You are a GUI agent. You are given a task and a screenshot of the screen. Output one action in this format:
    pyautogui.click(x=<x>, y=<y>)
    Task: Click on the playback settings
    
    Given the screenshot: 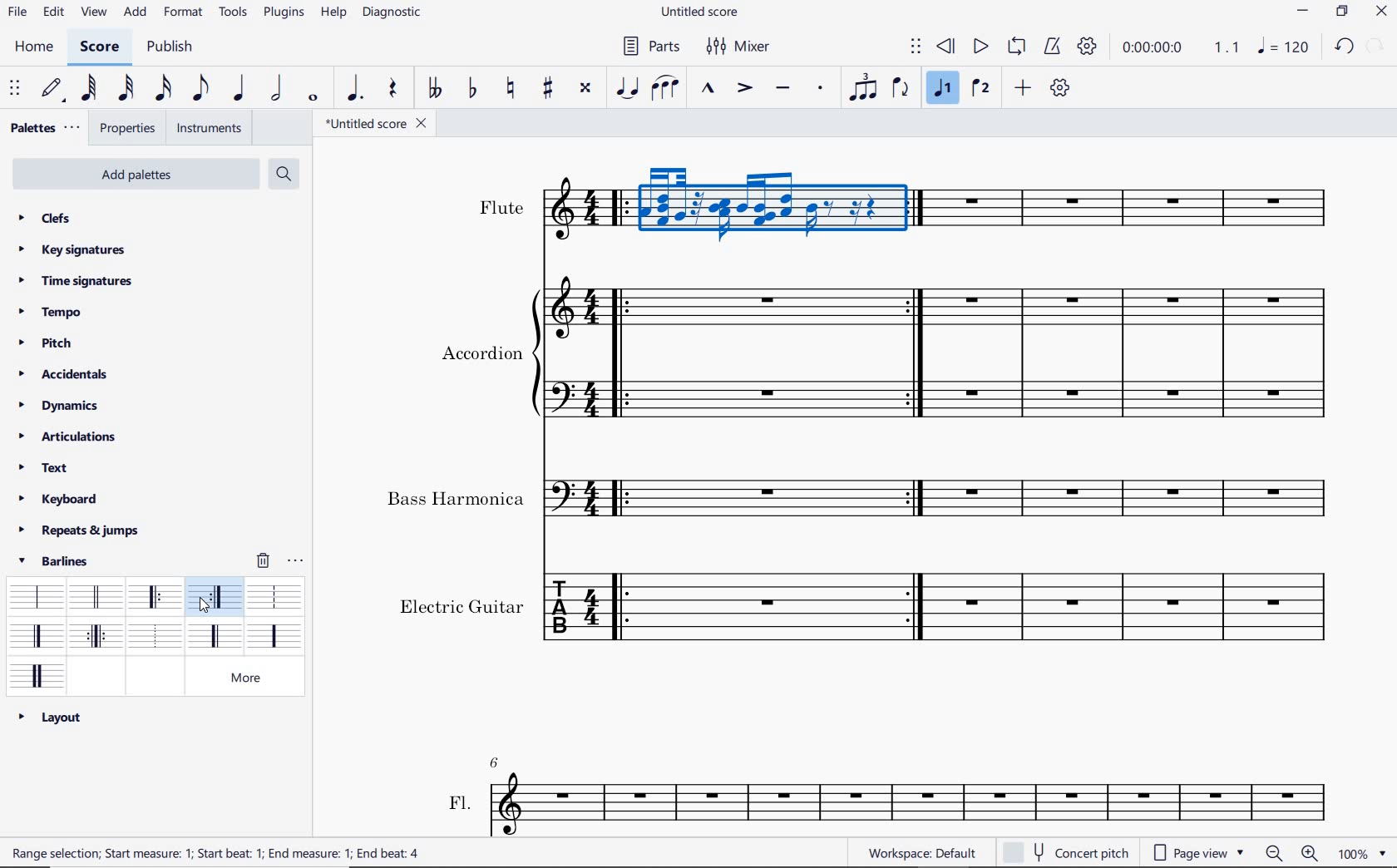 What is the action you would take?
    pyautogui.click(x=1087, y=46)
    